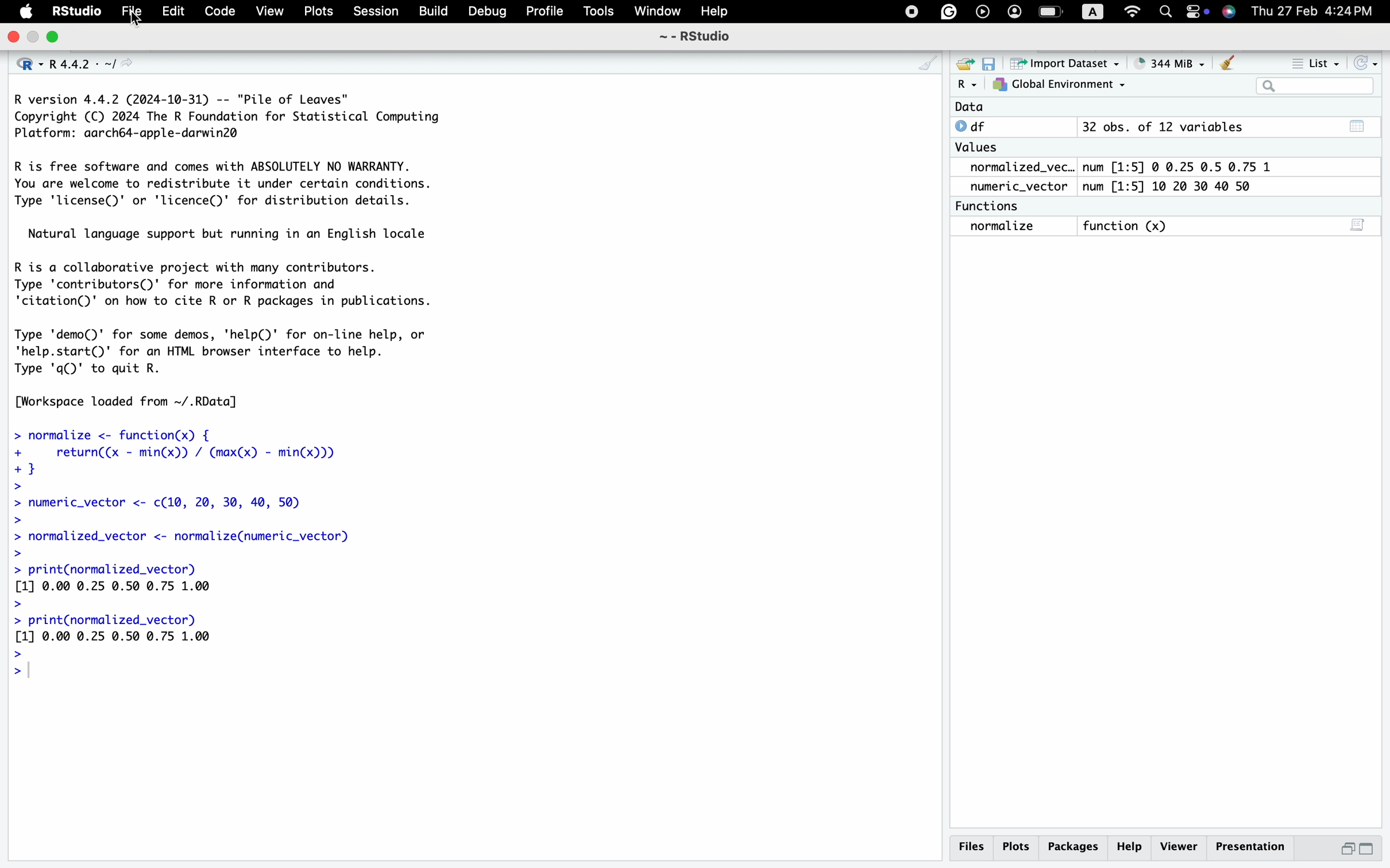  What do you see at coordinates (1097, 10) in the screenshot?
I see `A` at bounding box center [1097, 10].